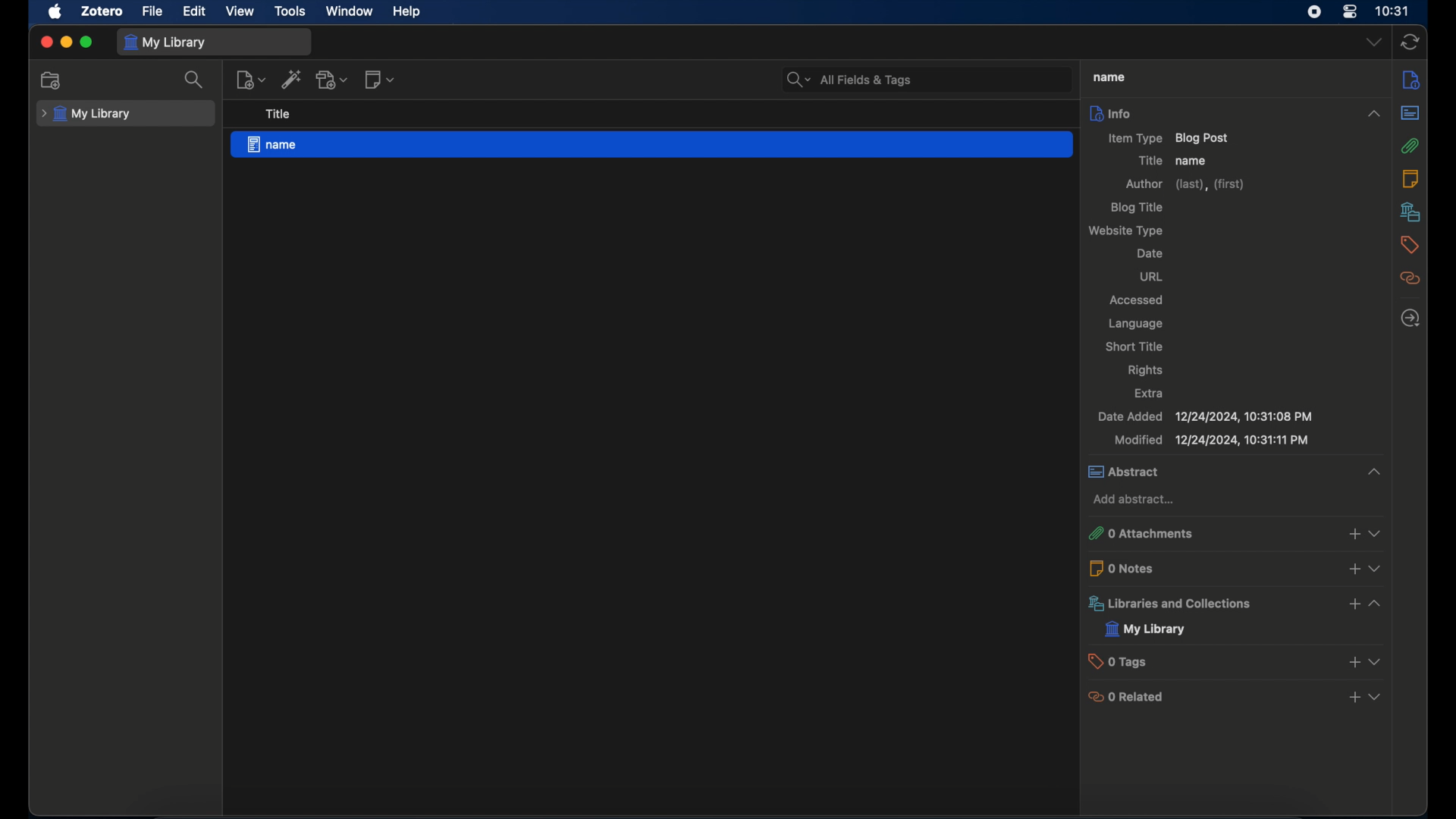  What do you see at coordinates (167, 42) in the screenshot?
I see `my library` at bounding box center [167, 42].